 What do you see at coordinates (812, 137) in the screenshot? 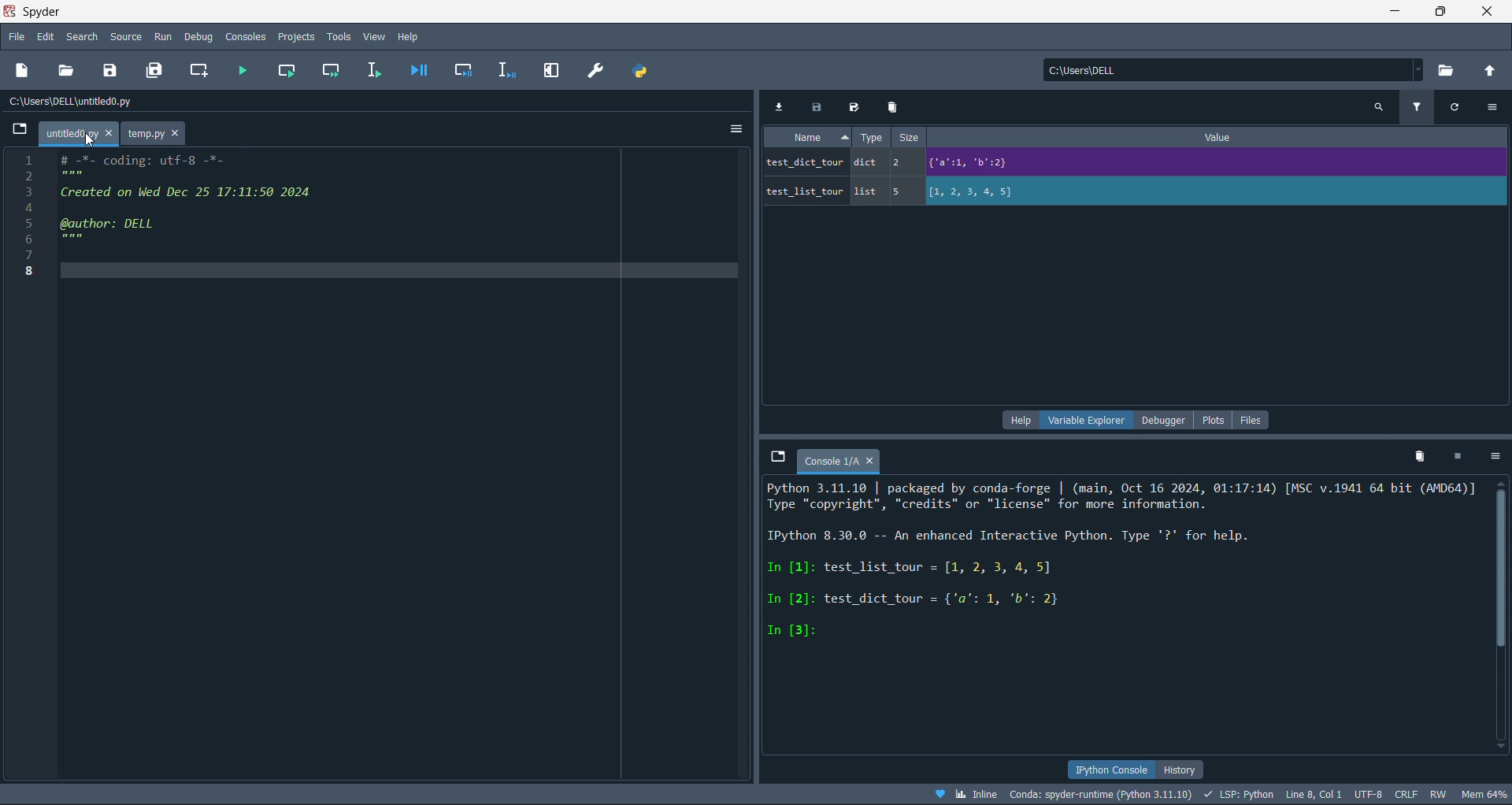
I see `name` at bounding box center [812, 137].